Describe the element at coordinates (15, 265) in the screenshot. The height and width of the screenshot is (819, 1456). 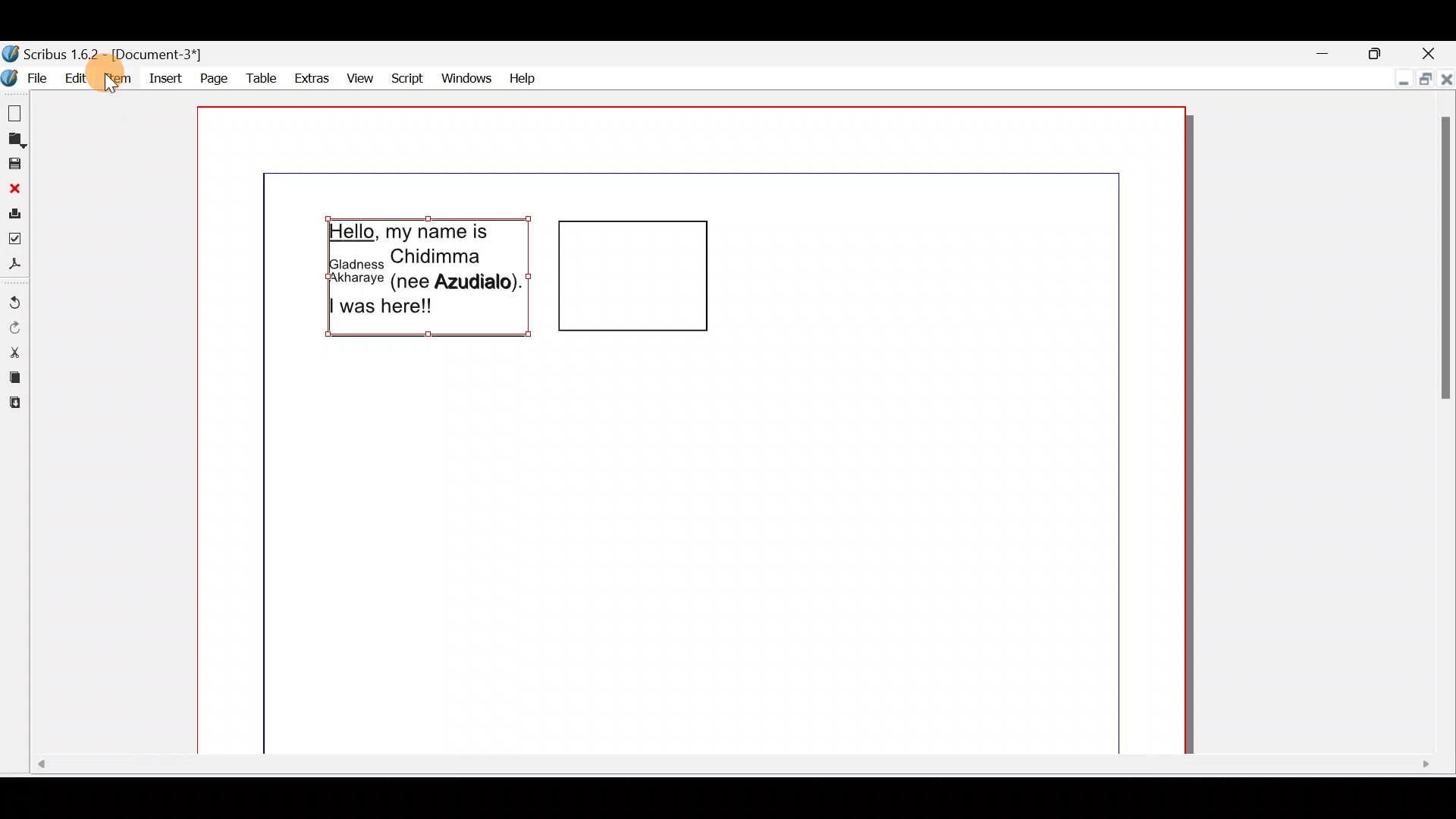
I see `Save as PDF` at that location.